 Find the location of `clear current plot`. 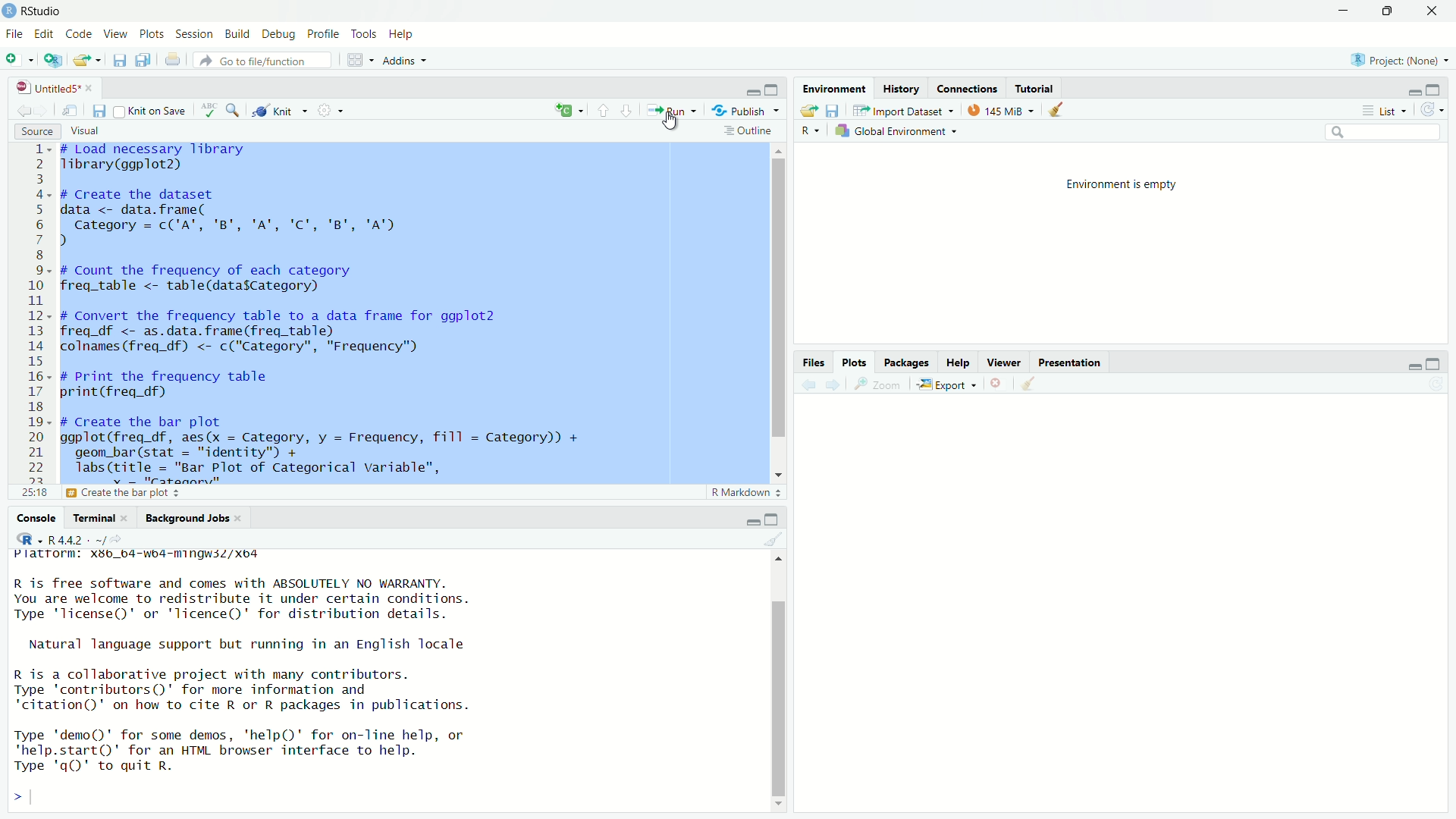

clear current plot is located at coordinates (997, 383).